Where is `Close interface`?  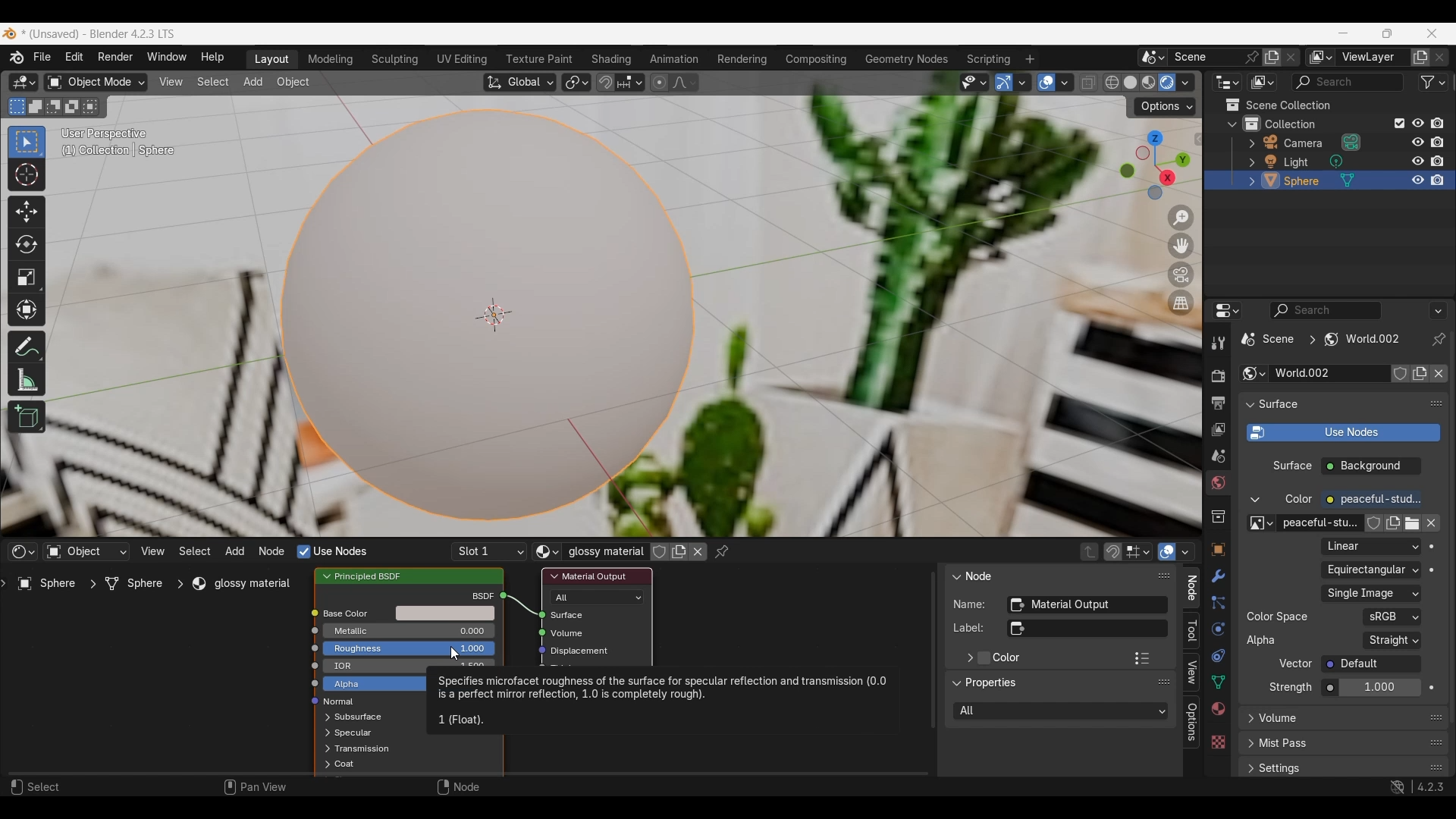 Close interface is located at coordinates (1432, 34).